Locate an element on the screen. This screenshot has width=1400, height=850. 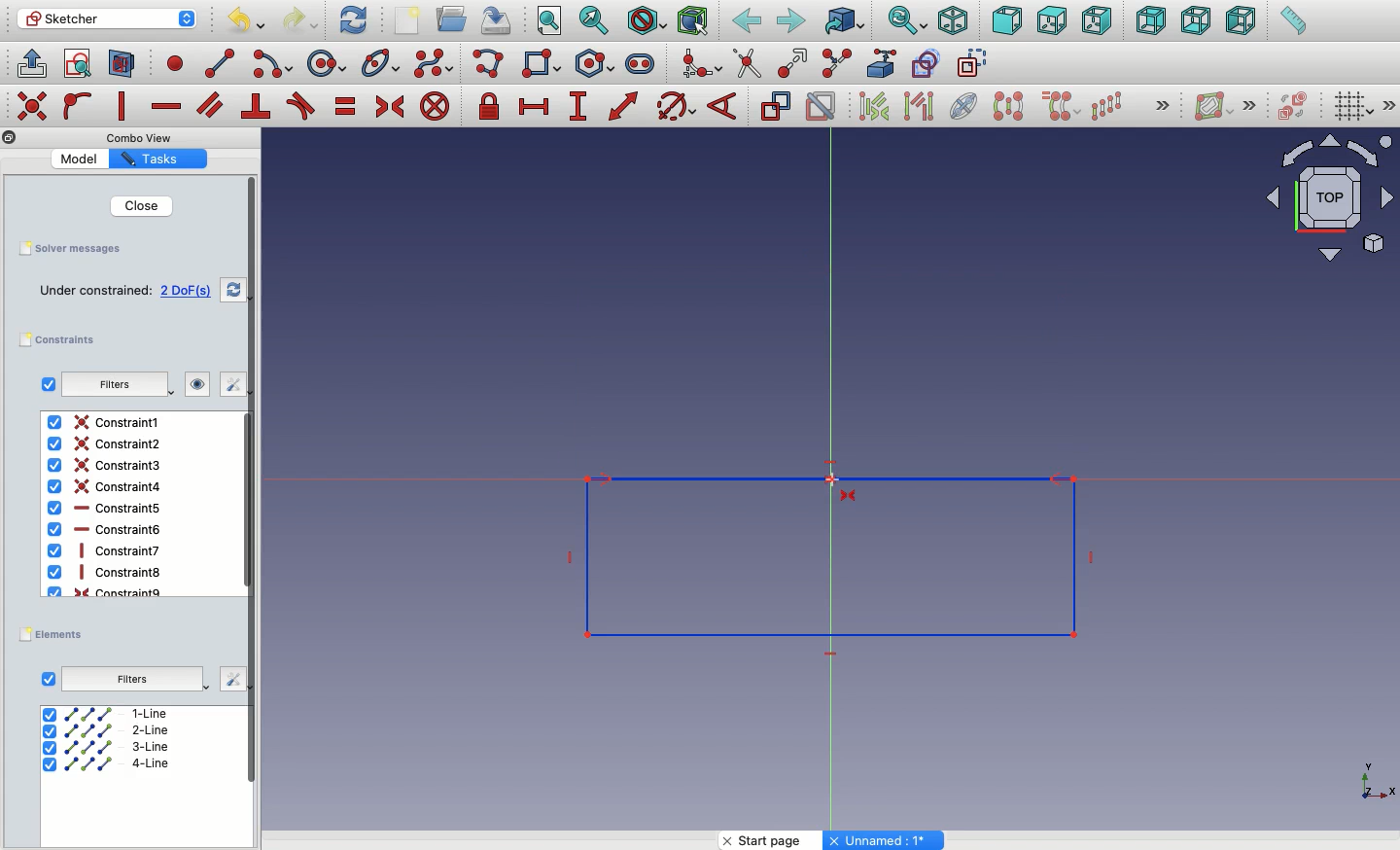
Polygon is located at coordinates (598, 64).